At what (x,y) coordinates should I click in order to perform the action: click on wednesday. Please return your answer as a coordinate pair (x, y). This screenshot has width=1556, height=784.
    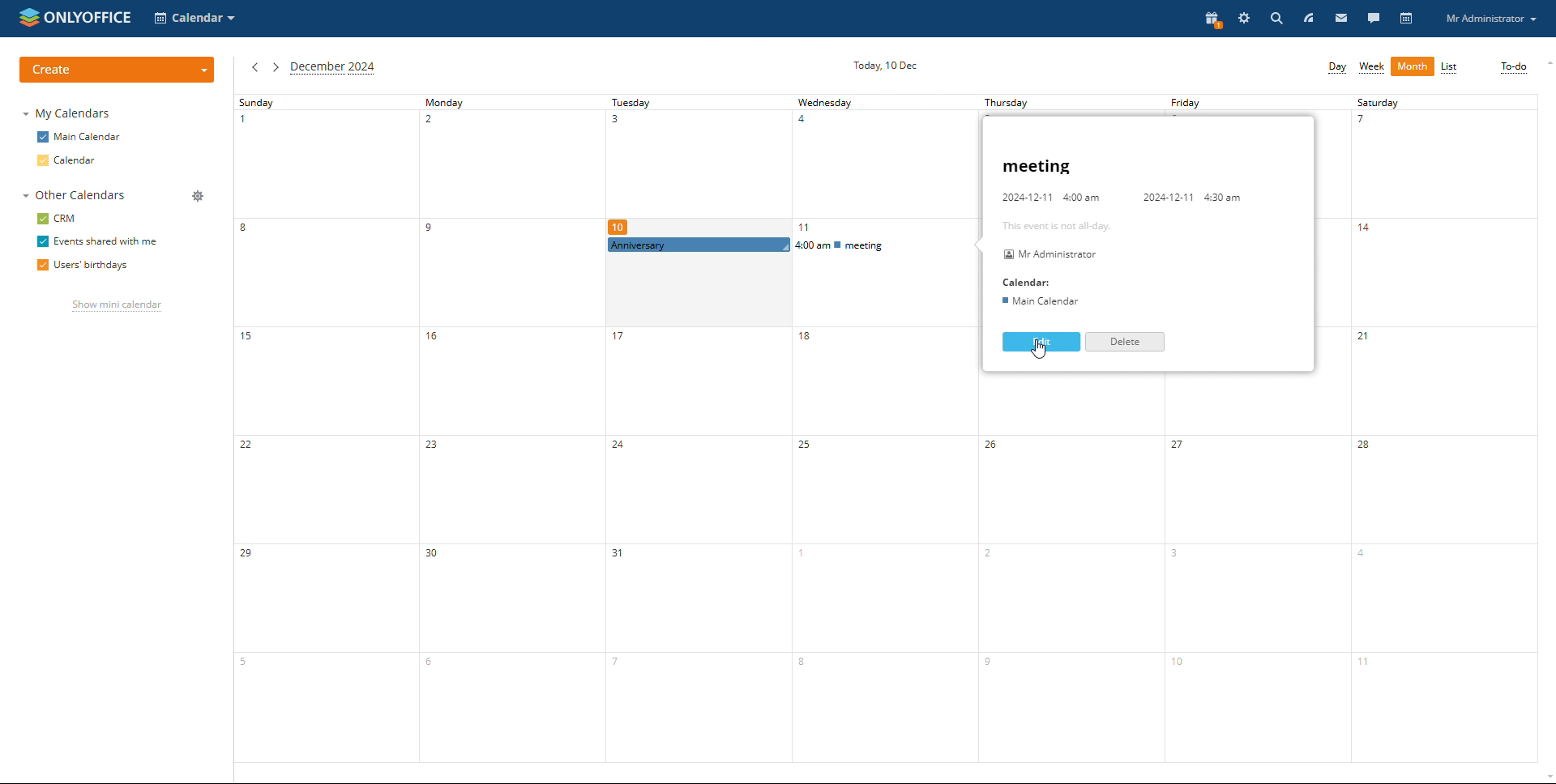
    Looking at the image, I should click on (888, 511).